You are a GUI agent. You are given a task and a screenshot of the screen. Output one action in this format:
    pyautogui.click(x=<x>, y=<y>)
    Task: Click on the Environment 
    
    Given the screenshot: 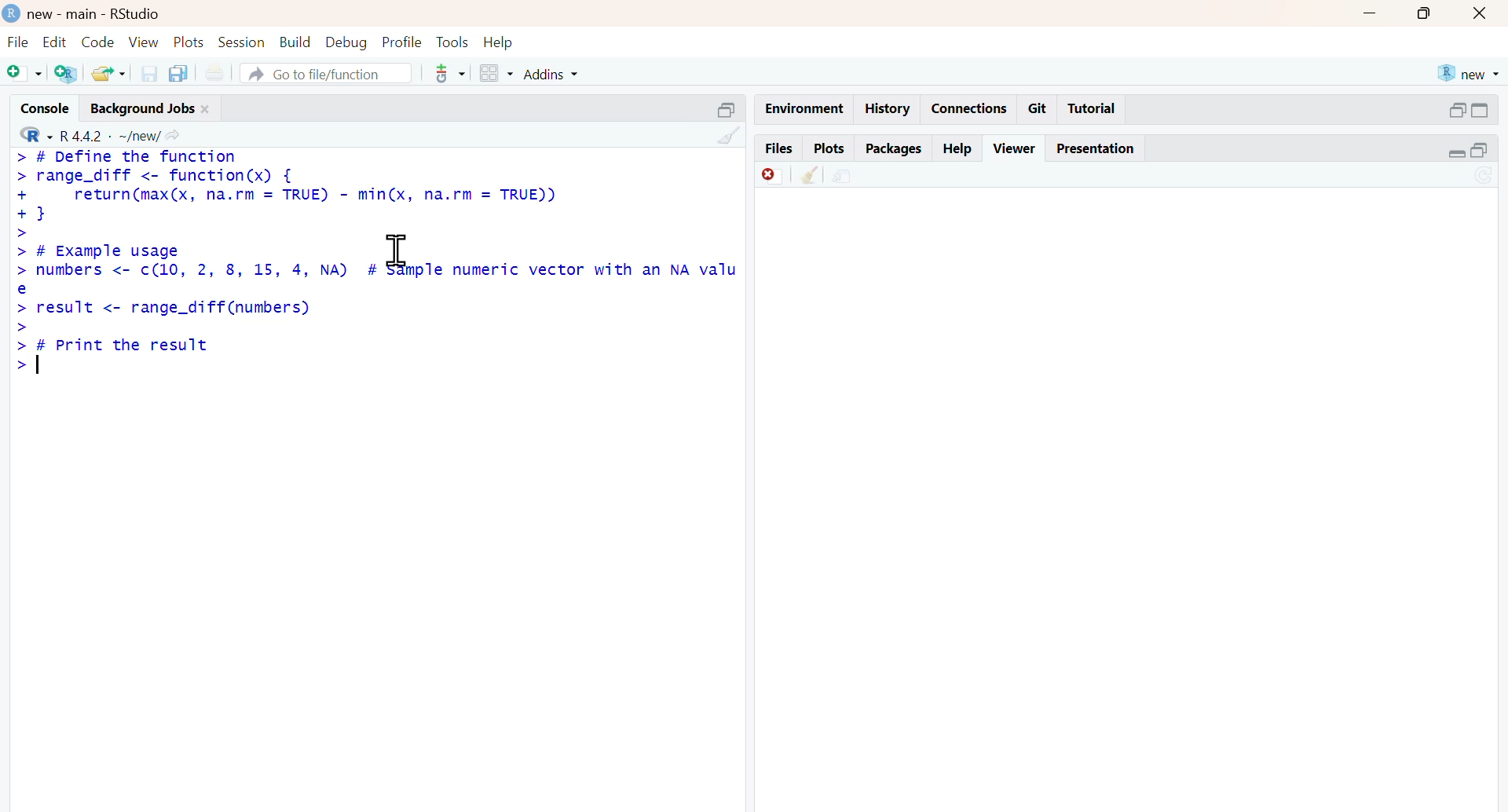 What is the action you would take?
    pyautogui.click(x=804, y=110)
    